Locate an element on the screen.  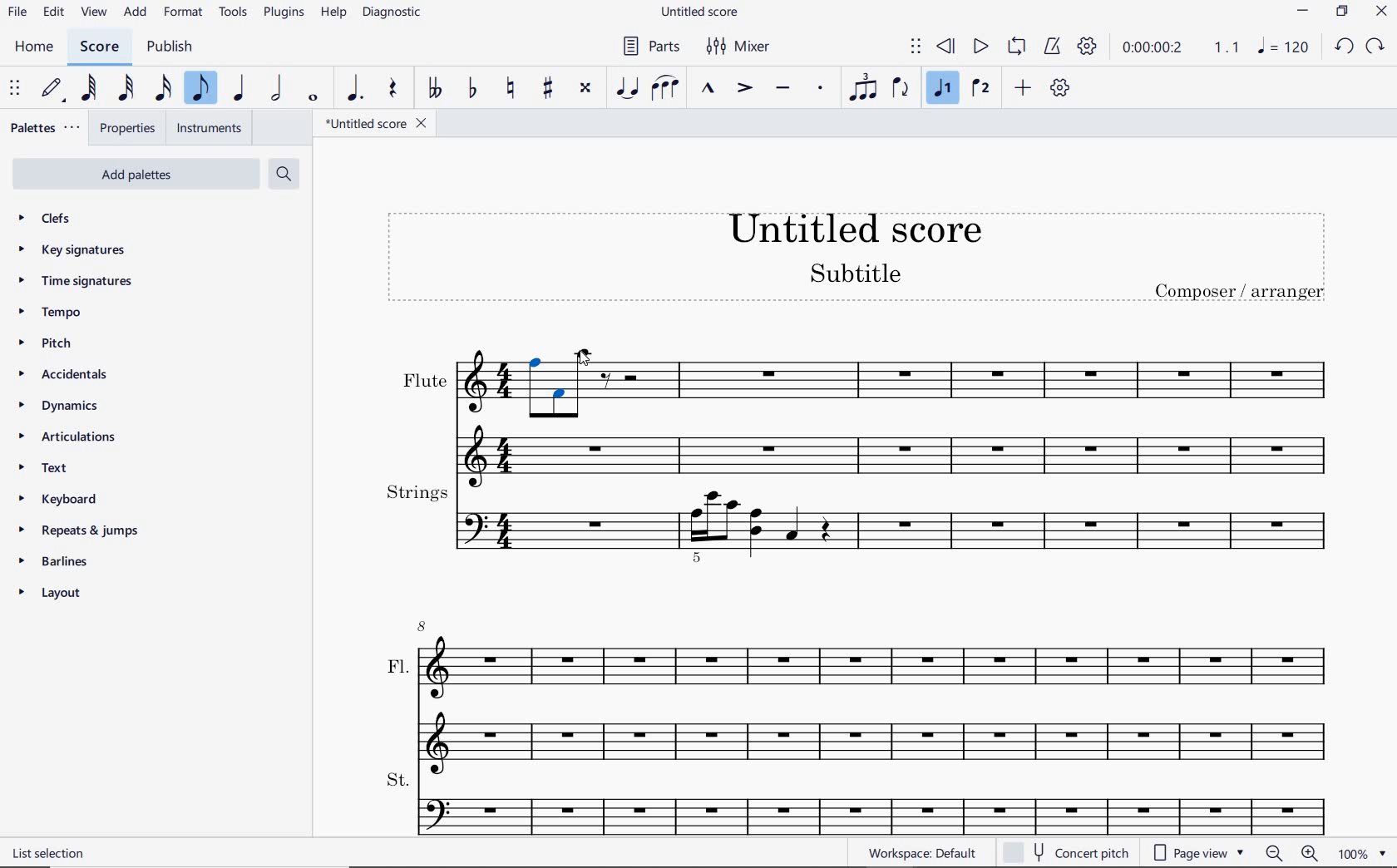
title is located at coordinates (861, 263).